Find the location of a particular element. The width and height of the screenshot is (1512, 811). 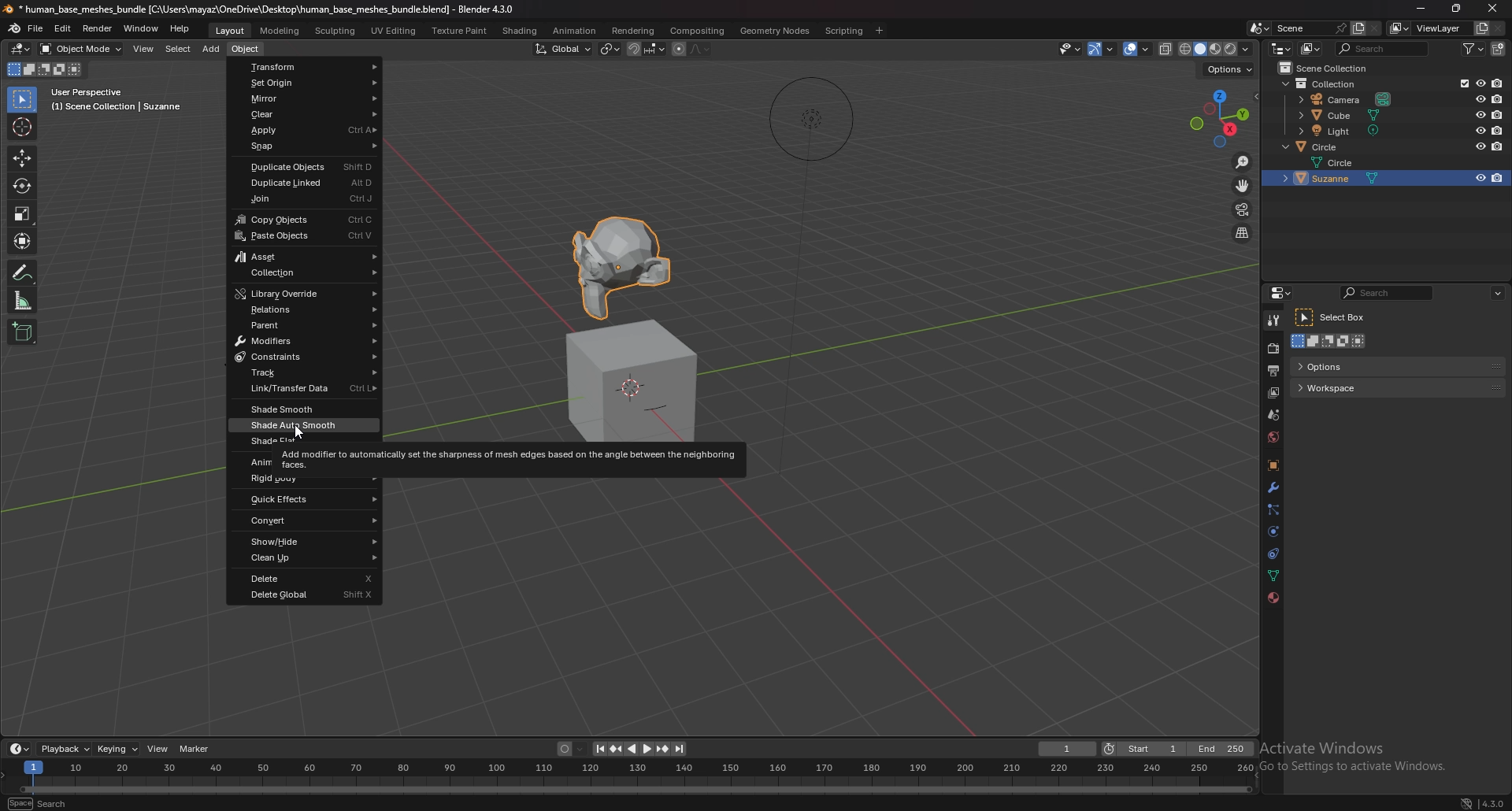

jump to end is located at coordinates (681, 749).